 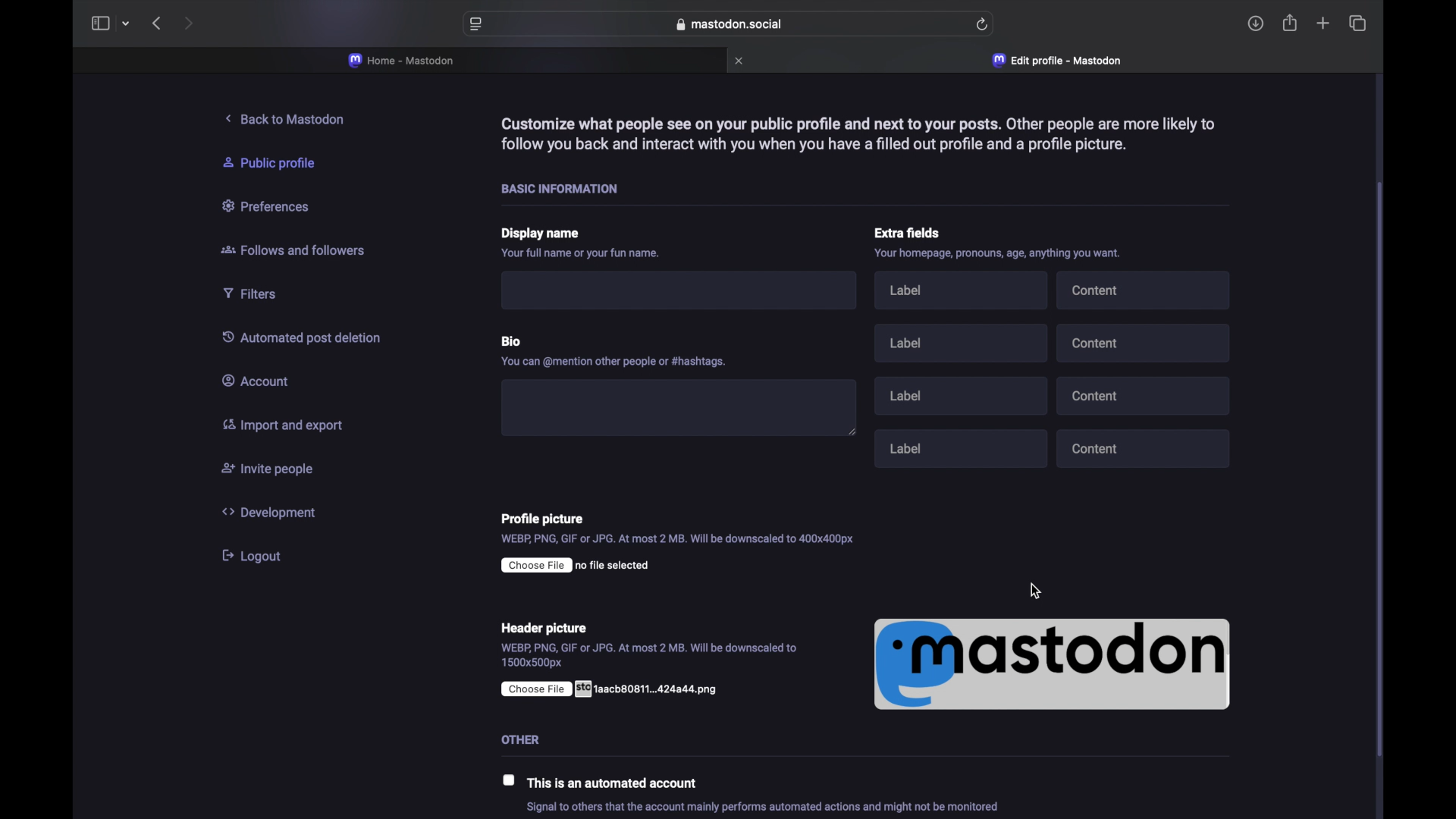 What do you see at coordinates (278, 163) in the screenshot?
I see `public profile` at bounding box center [278, 163].